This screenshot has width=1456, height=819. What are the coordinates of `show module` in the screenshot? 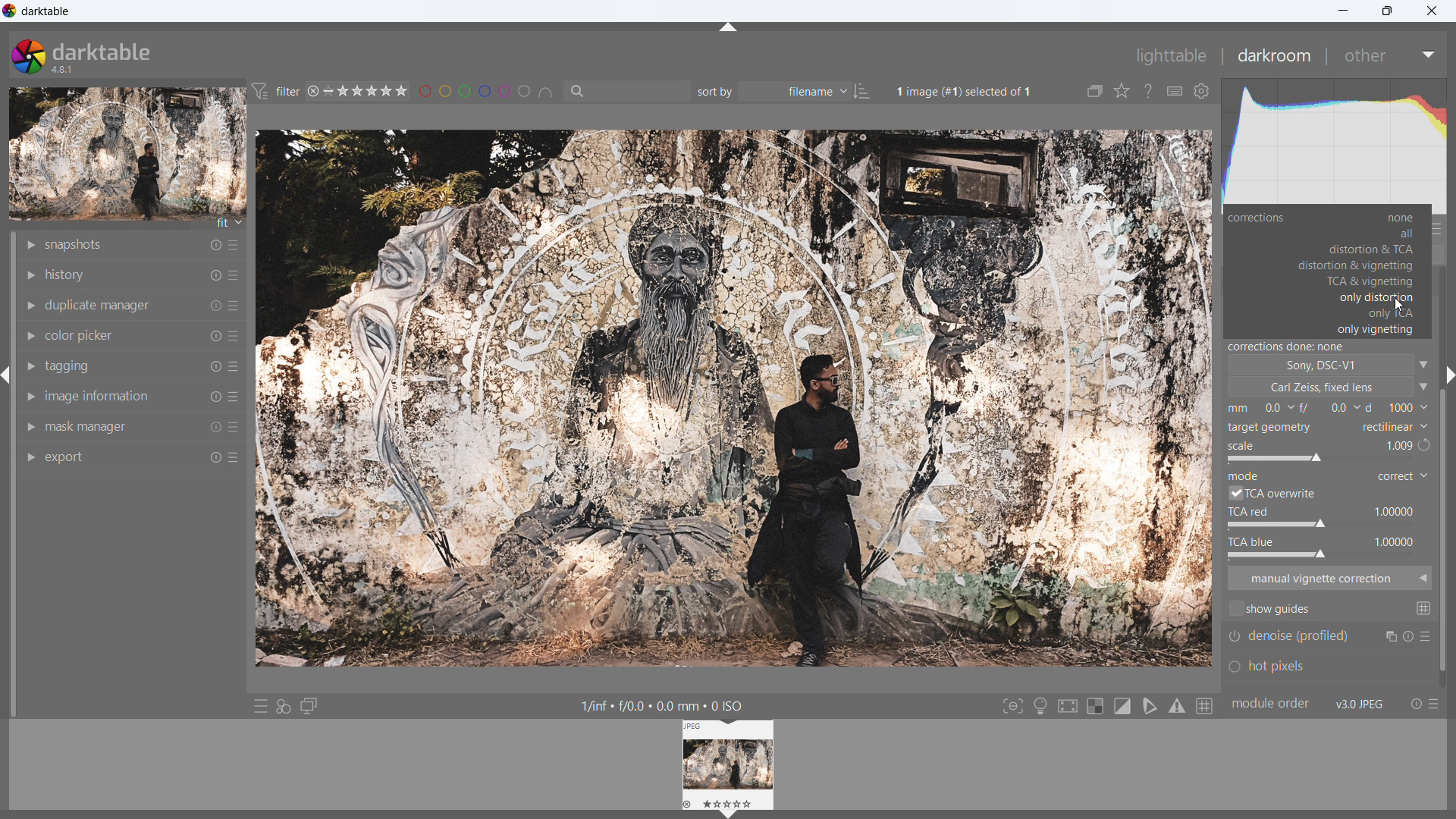 It's located at (28, 246).